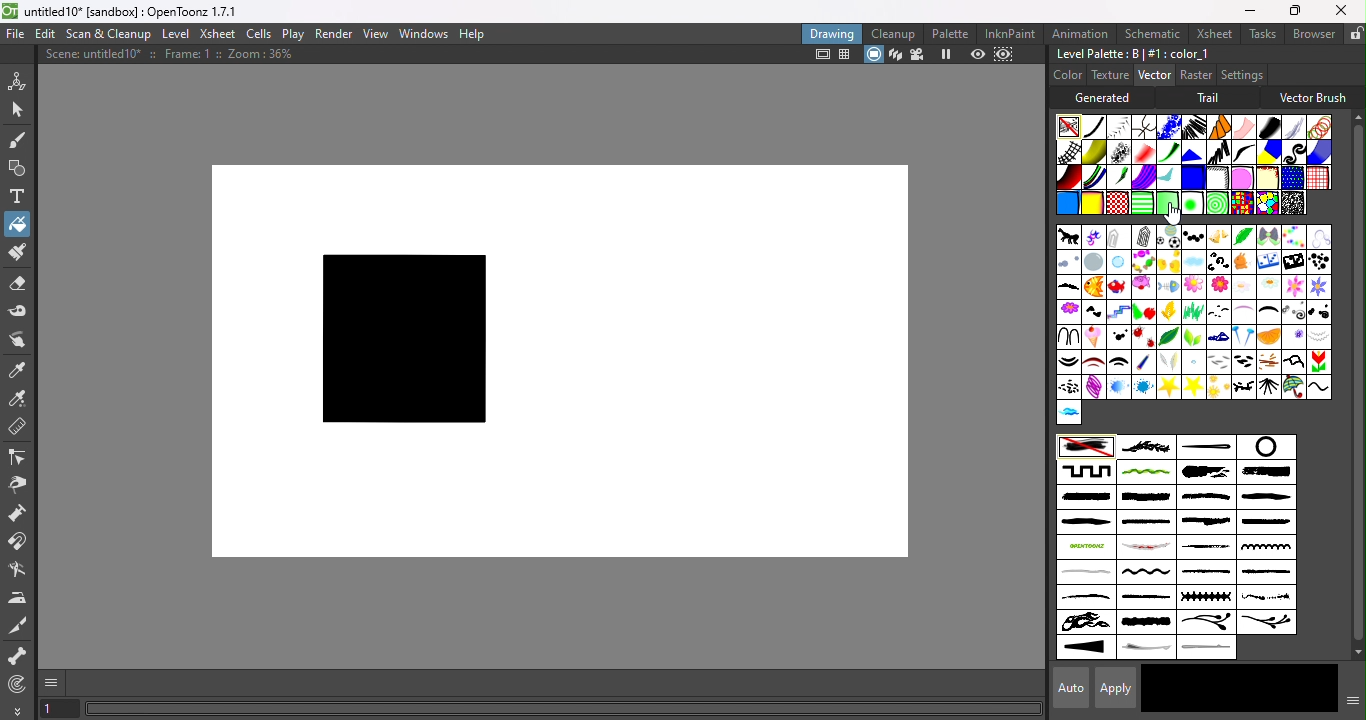  What do you see at coordinates (1204, 522) in the screenshot?
I see `medium_brush4` at bounding box center [1204, 522].